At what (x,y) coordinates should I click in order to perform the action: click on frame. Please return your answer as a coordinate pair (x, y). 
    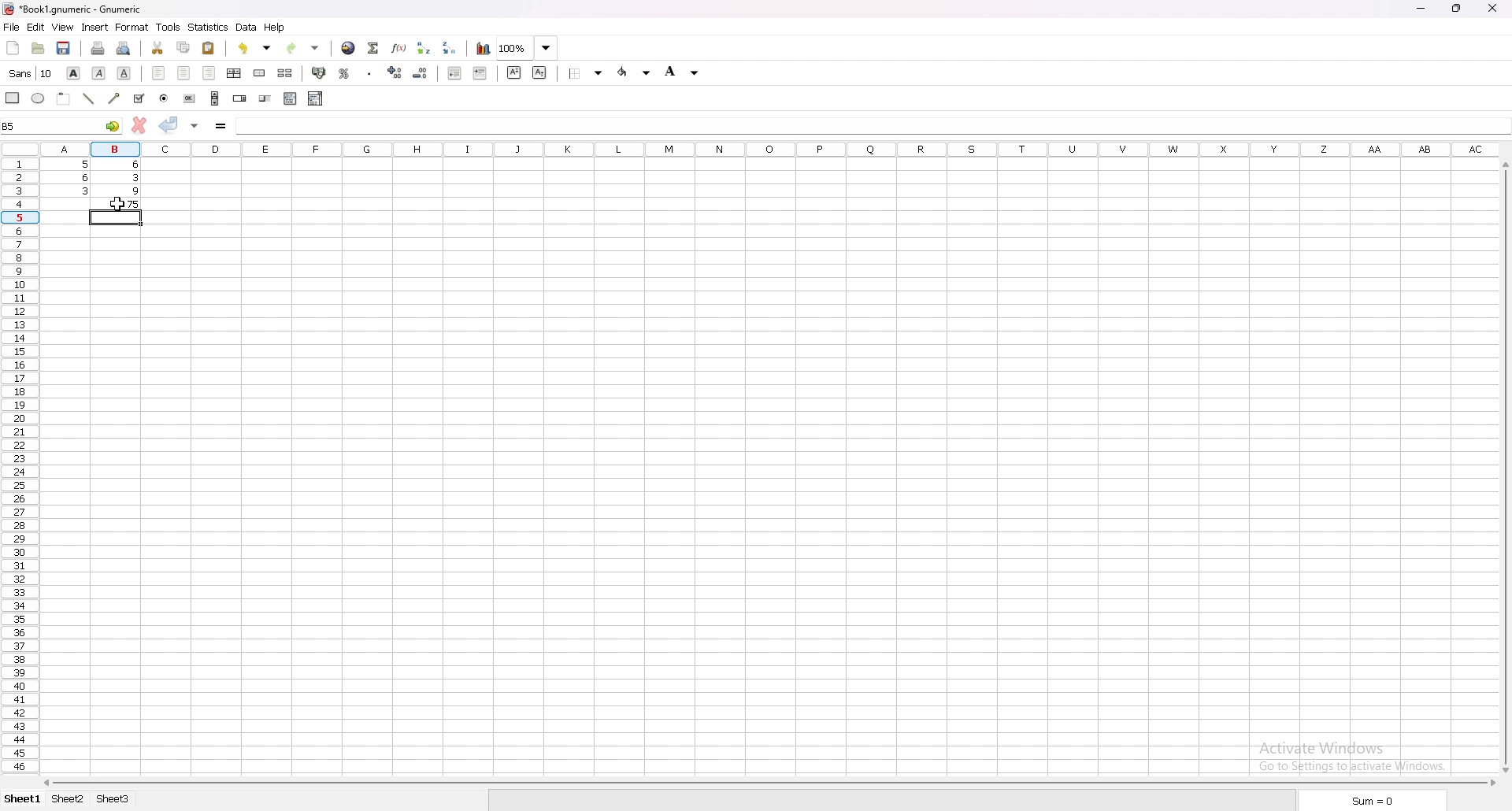
    Looking at the image, I should click on (63, 99).